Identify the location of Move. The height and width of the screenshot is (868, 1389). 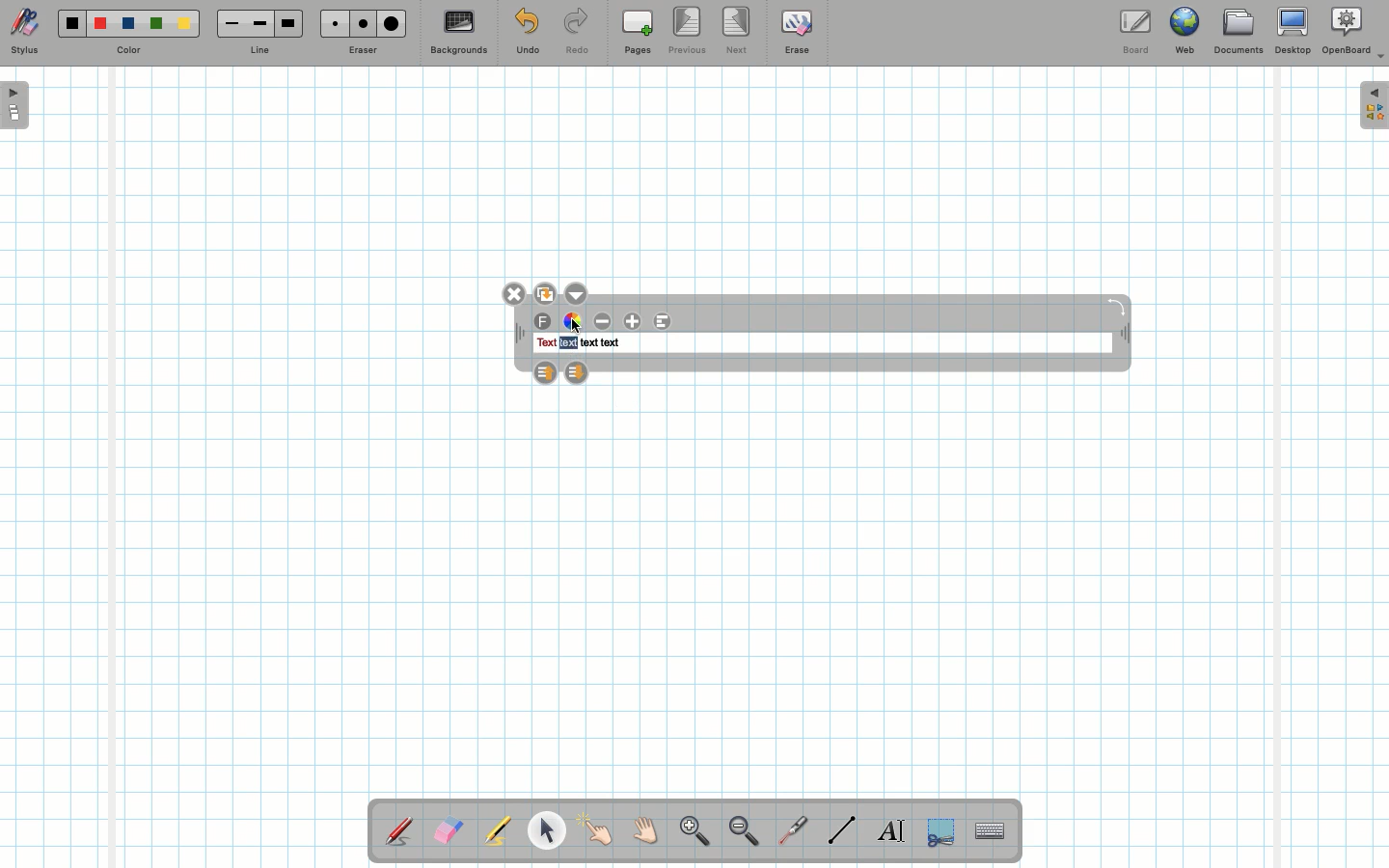
(1123, 336).